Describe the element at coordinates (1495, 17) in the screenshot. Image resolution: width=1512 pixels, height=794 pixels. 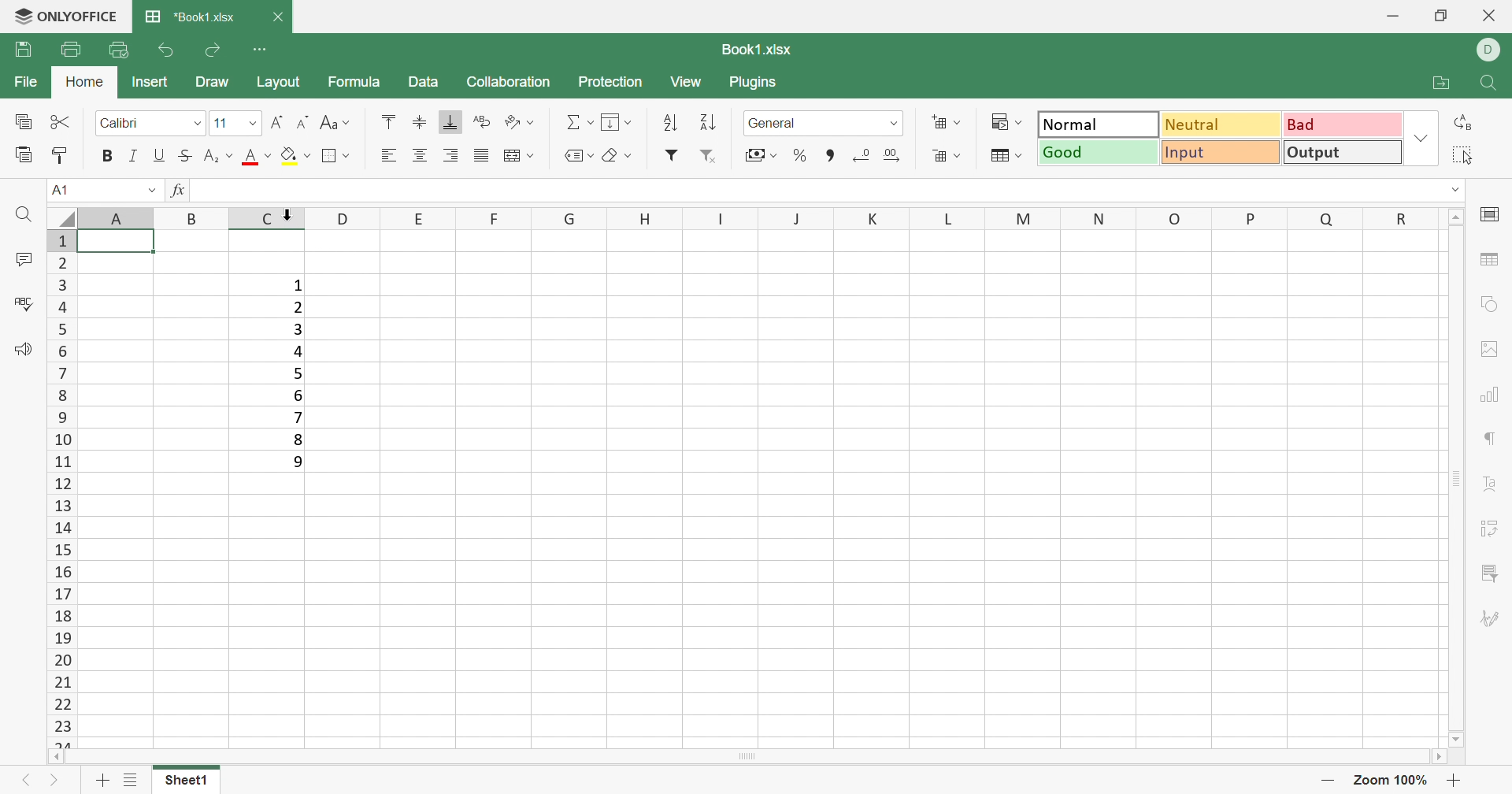
I see `Close` at that location.